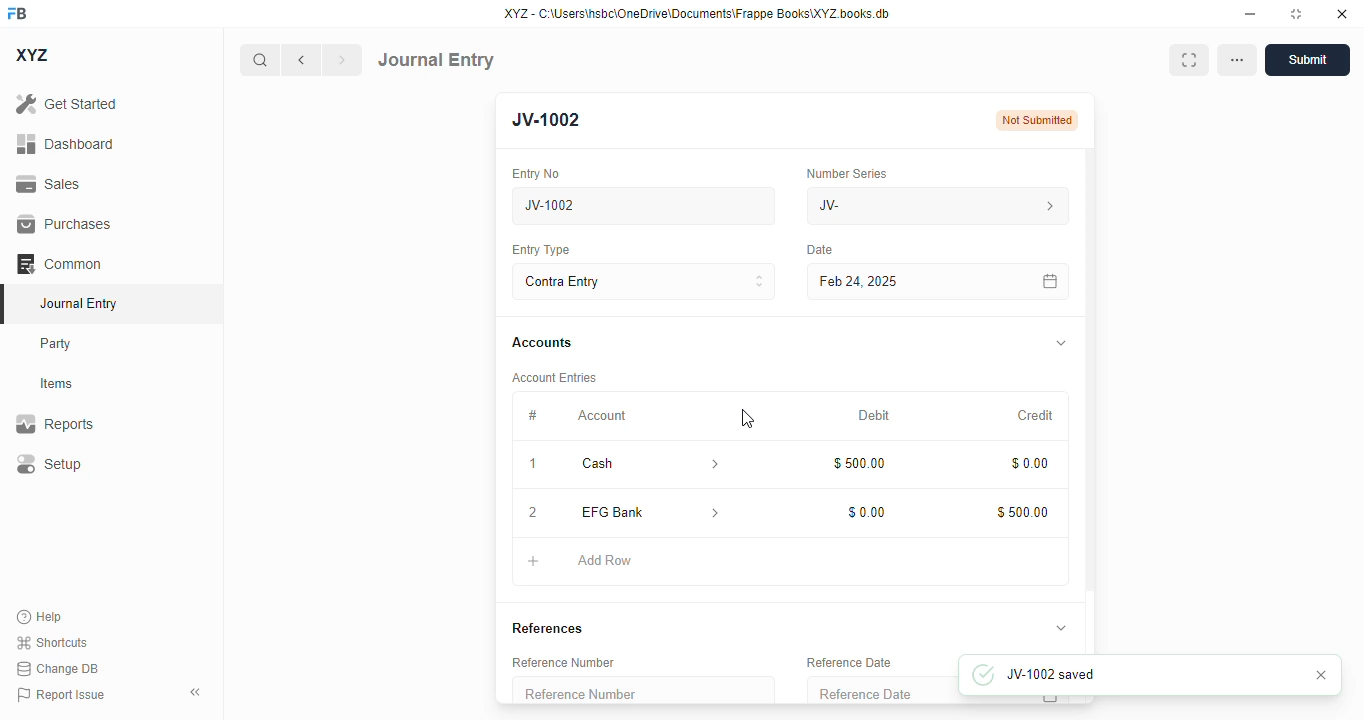 The width and height of the screenshot is (1364, 720). What do you see at coordinates (557, 119) in the screenshot?
I see `new entry` at bounding box center [557, 119].